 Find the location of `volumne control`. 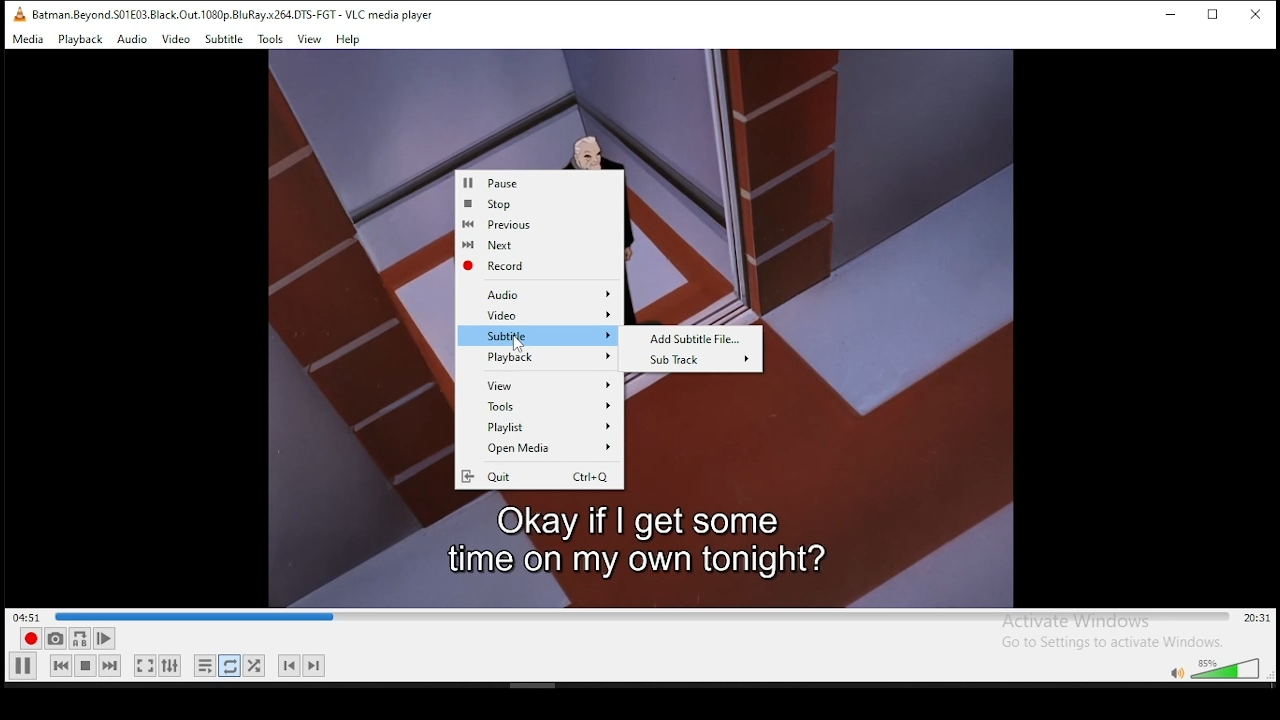

volumne control is located at coordinates (1214, 669).